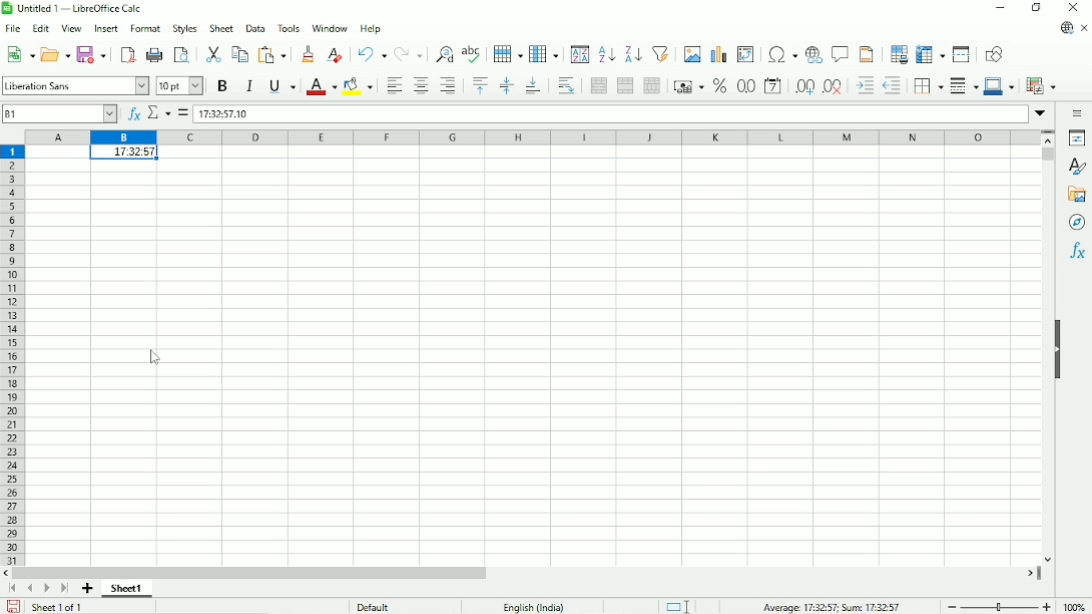 The width and height of the screenshot is (1092, 614). I want to click on Gallery, so click(1077, 195).